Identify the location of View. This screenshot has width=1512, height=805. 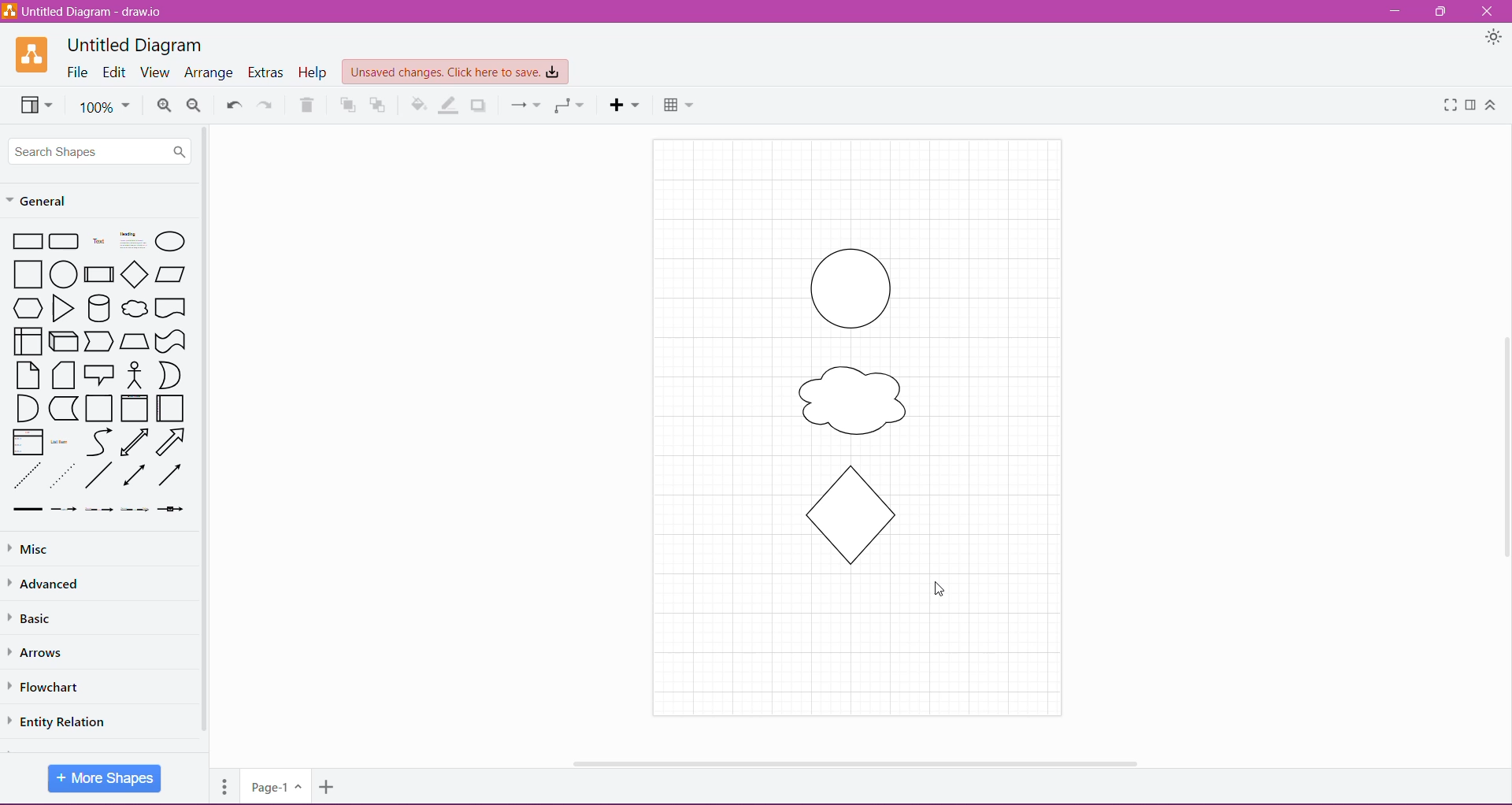
(154, 72).